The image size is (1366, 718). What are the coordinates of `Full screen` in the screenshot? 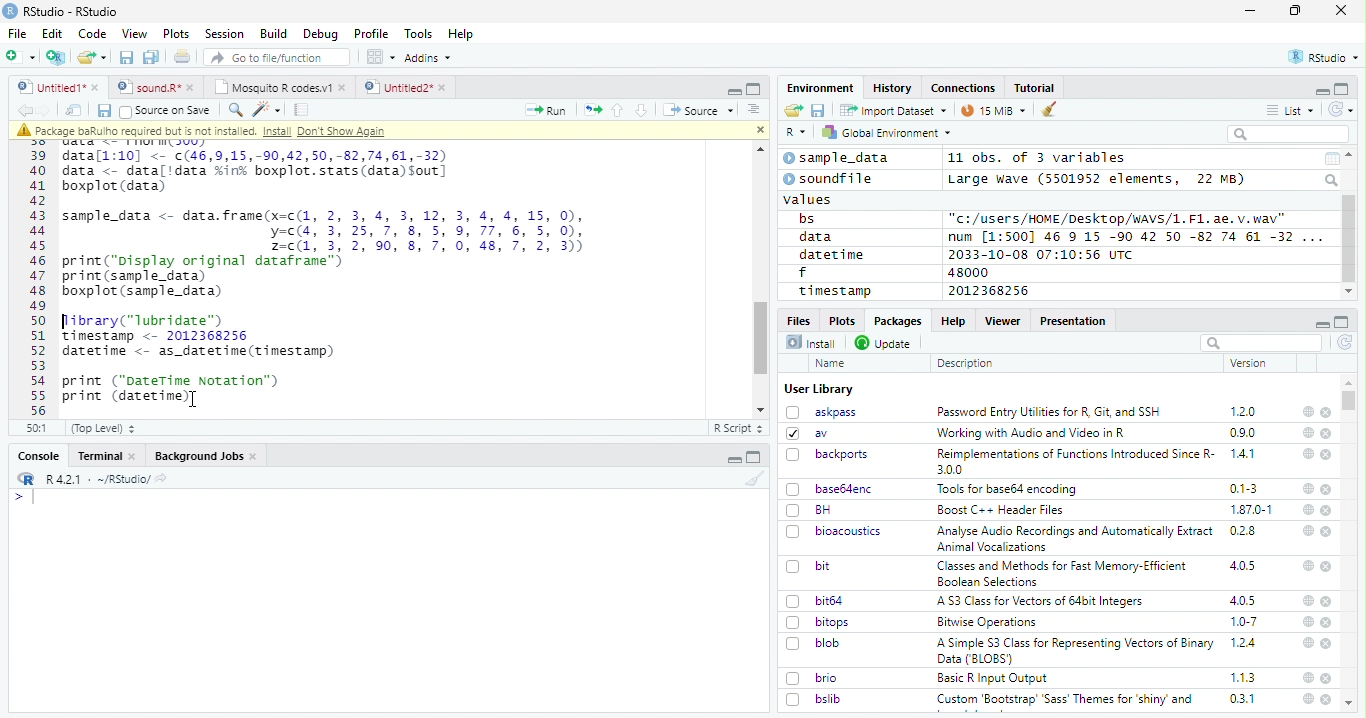 It's located at (754, 88).